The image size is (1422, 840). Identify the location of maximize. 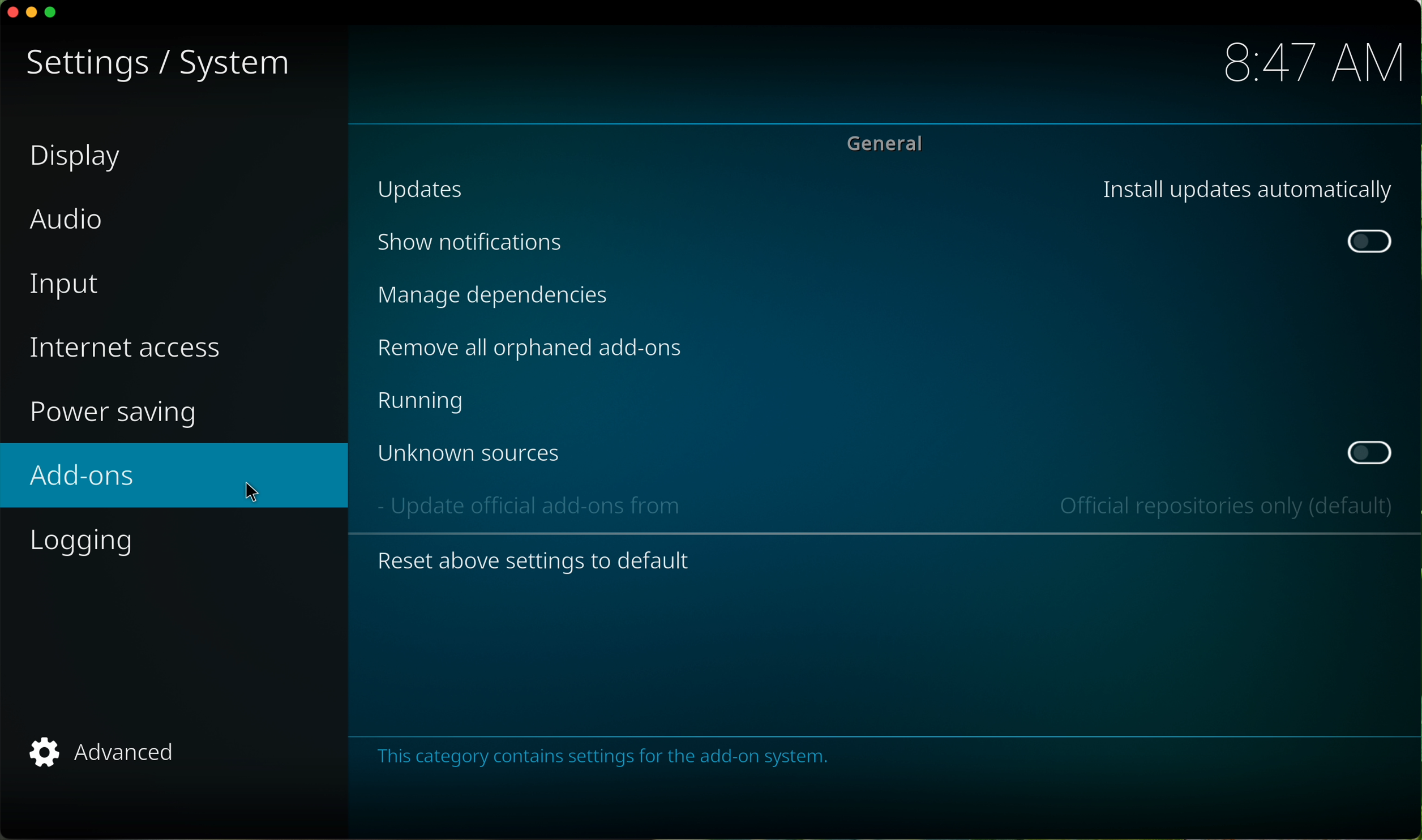
(55, 15).